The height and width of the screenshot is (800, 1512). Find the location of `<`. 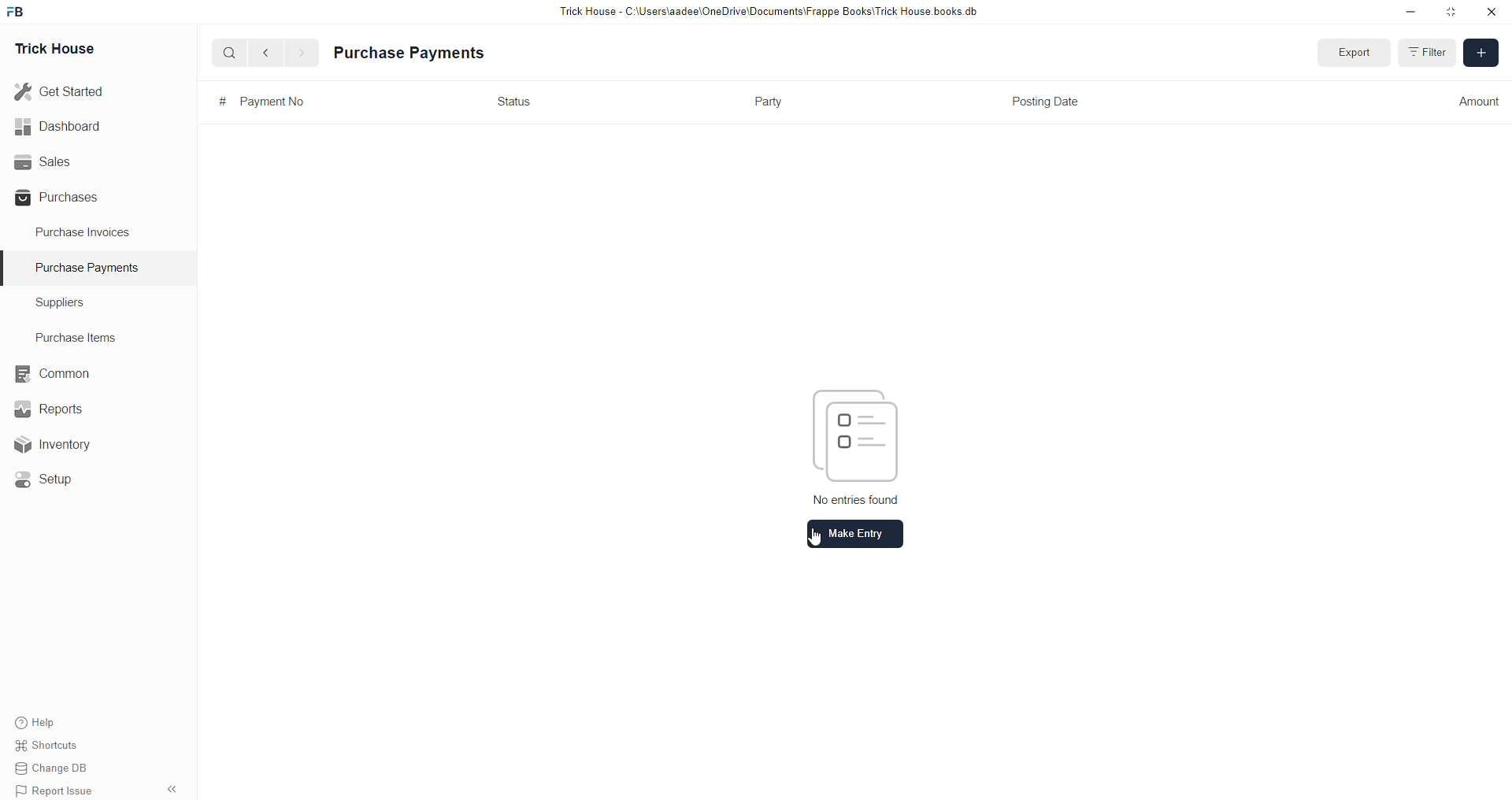

< is located at coordinates (262, 52).